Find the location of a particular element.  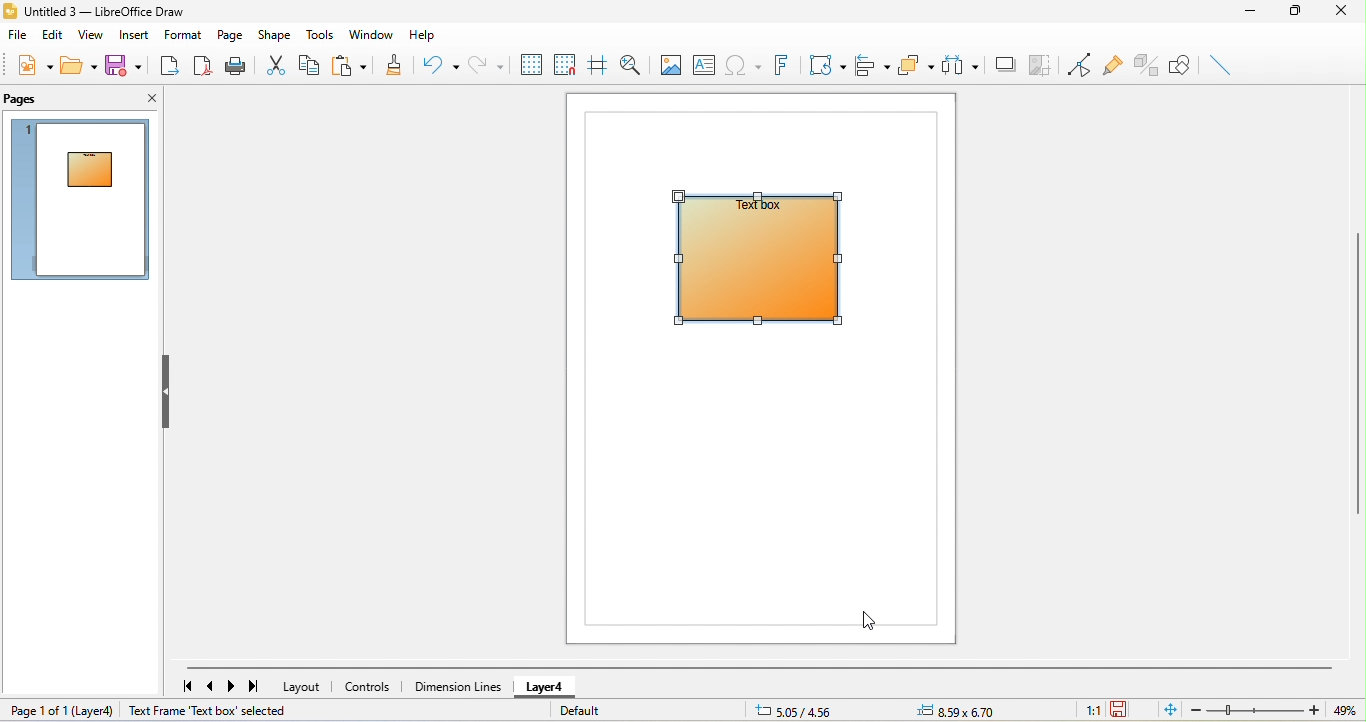

text frame text box selected is located at coordinates (210, 710).